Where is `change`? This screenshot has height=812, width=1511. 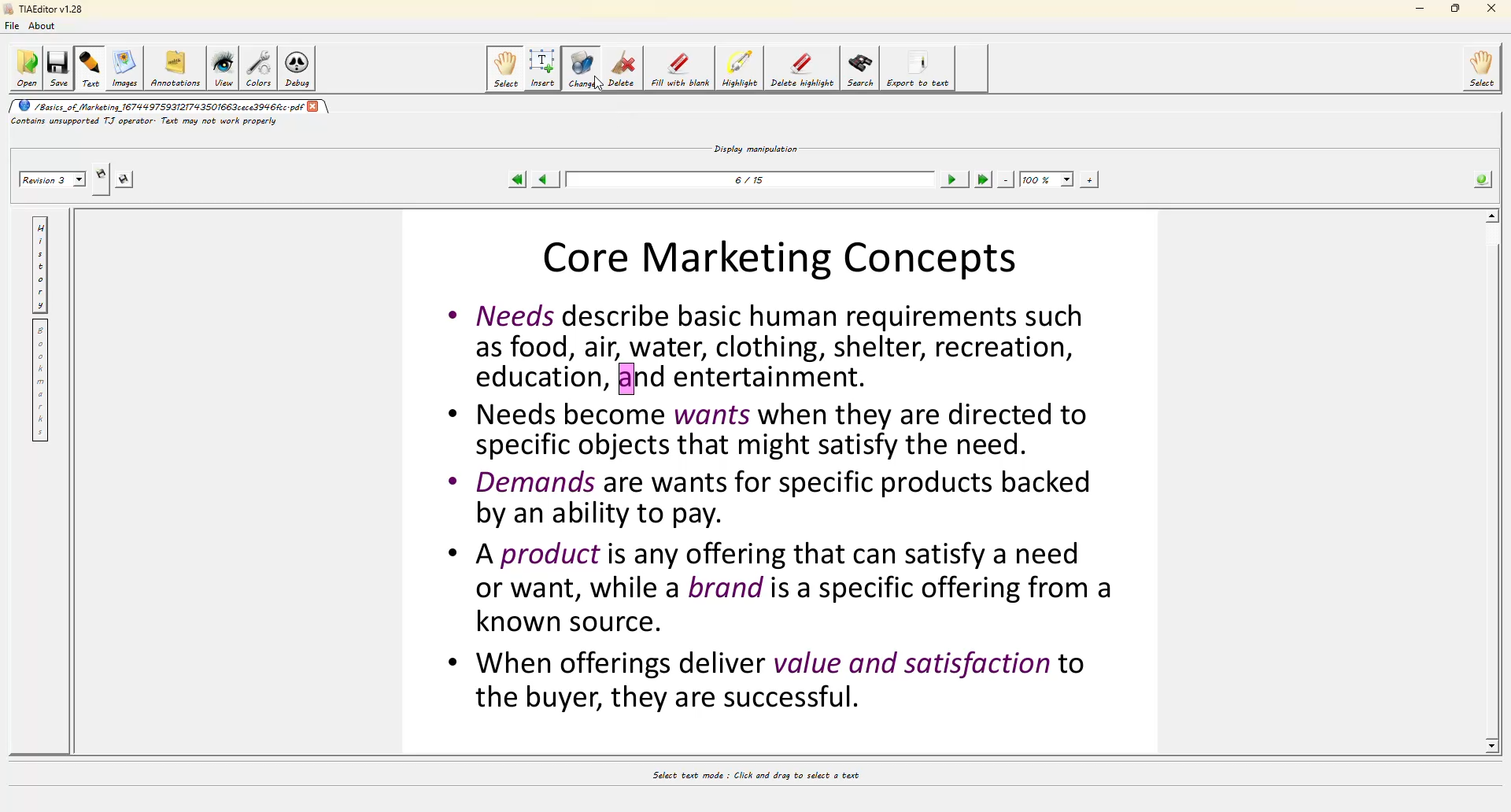 change is located at coordinates (575, 68).